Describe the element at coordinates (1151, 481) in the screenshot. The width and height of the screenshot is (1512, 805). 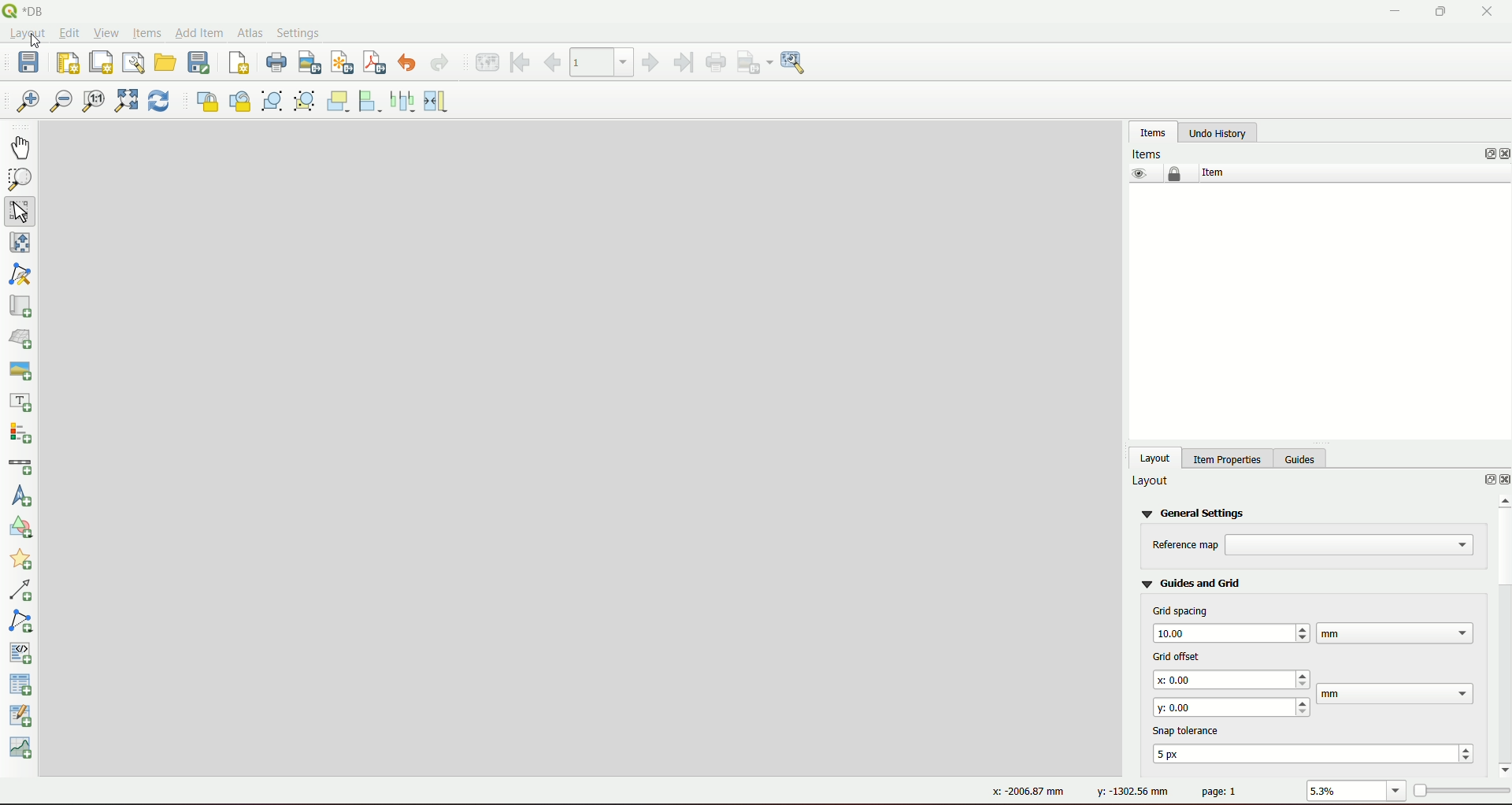
I see `layout` at that location.